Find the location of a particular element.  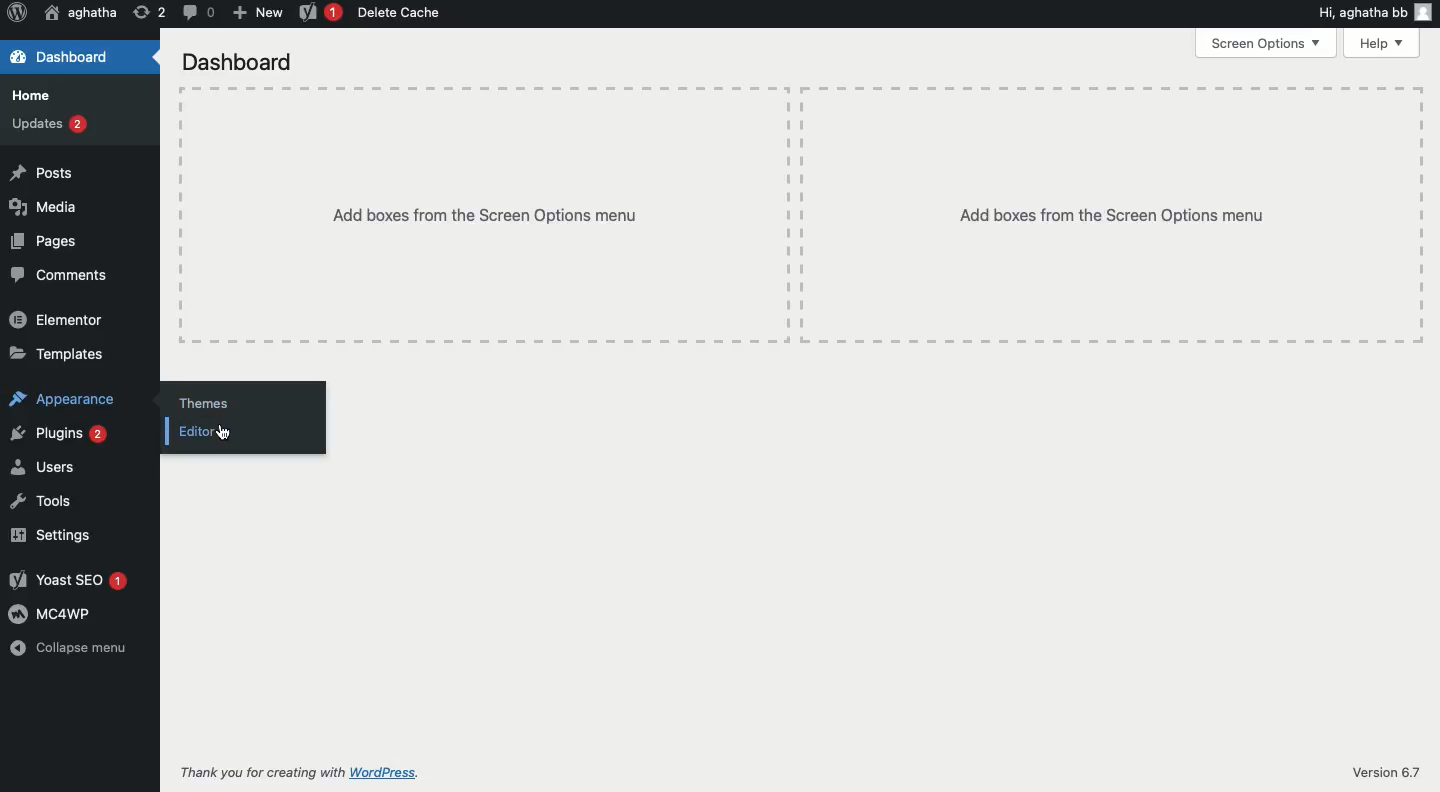

Elementor is located at coordinates (54, 318).